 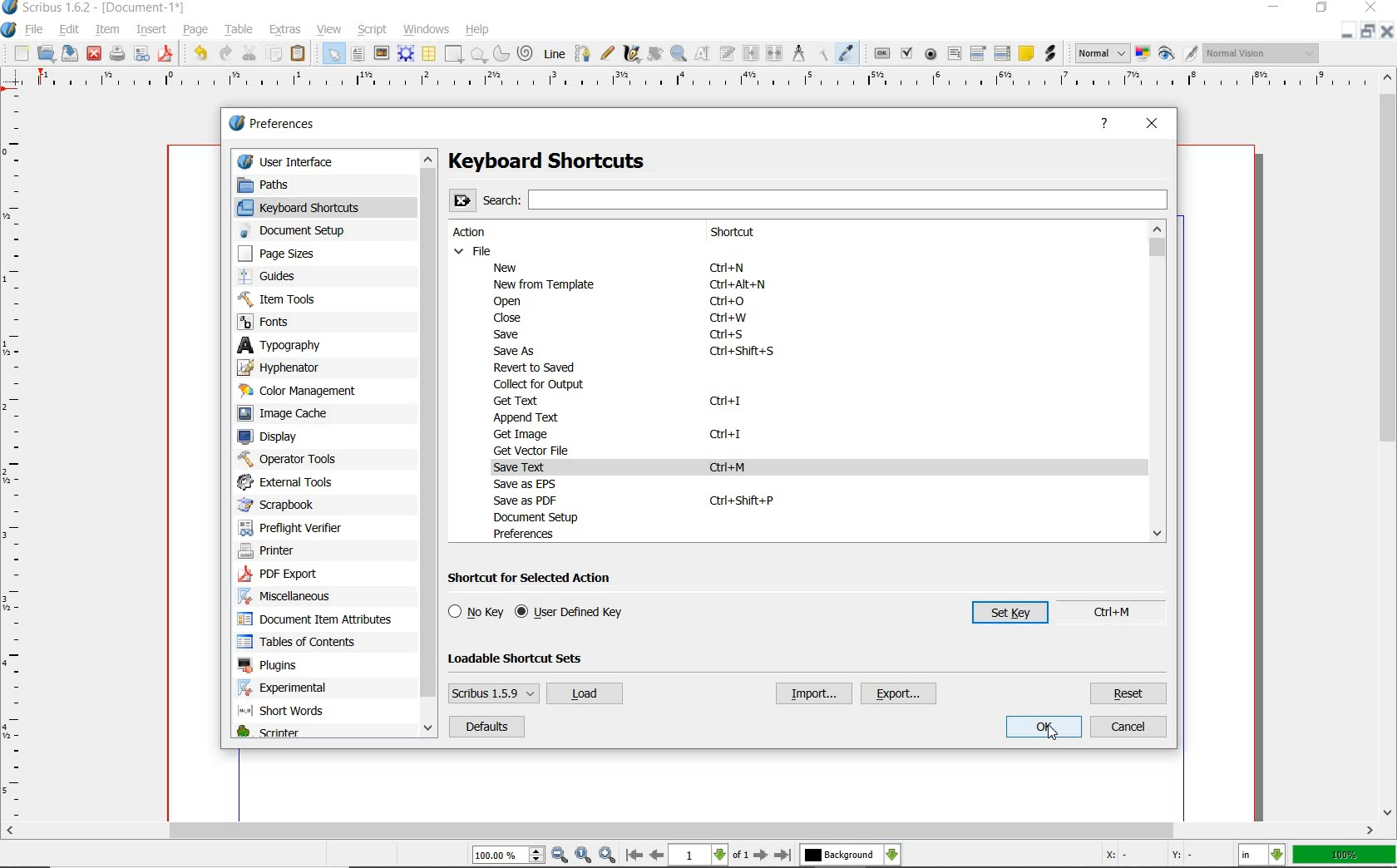 I want to click on Ctrl + O, so click(x=729, y=302).